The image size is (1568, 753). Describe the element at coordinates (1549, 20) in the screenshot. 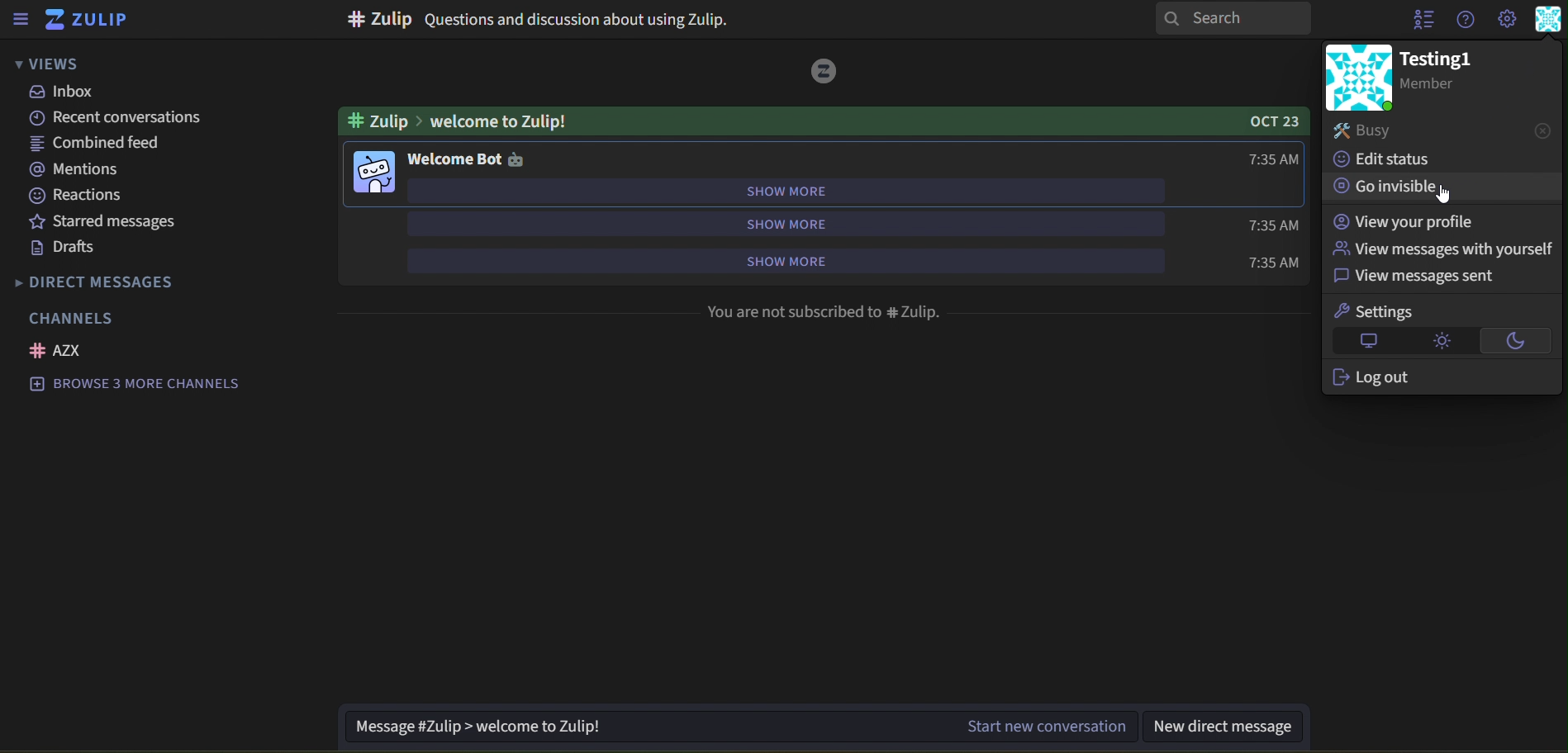

I see `personal menu` at that location.